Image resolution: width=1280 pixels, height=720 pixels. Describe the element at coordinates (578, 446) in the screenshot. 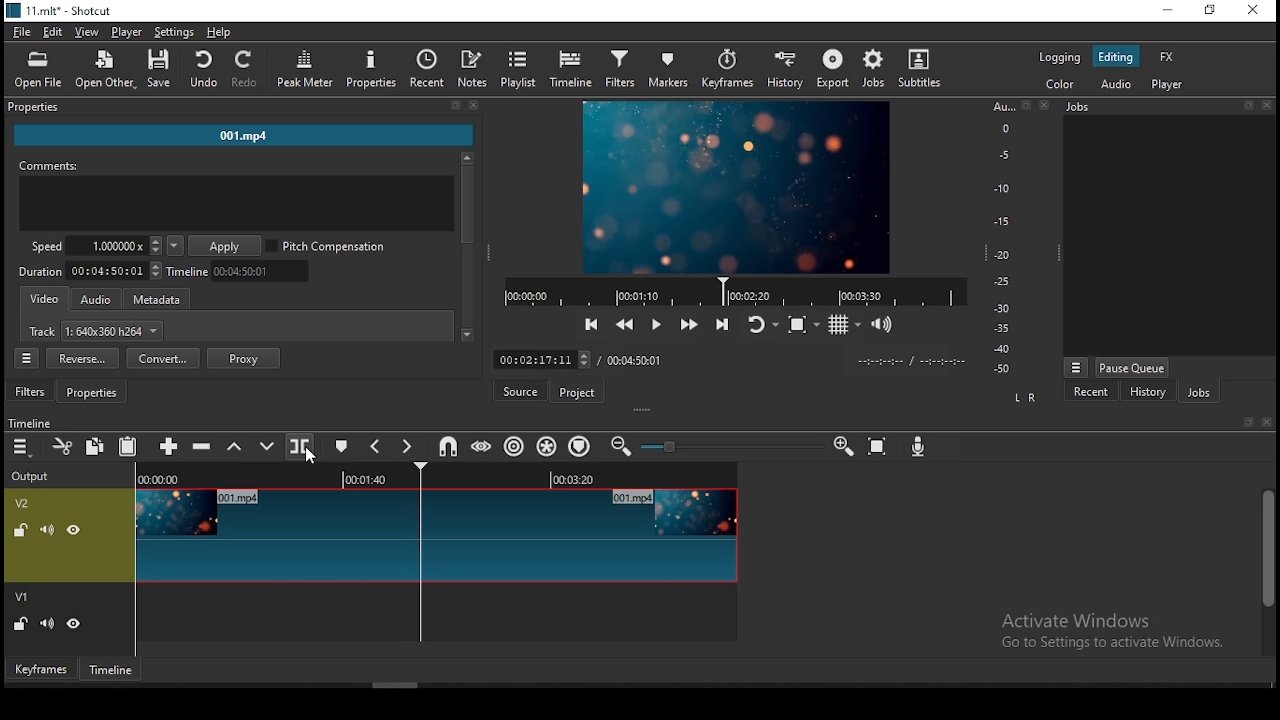

I see `ripple markers` at that location.